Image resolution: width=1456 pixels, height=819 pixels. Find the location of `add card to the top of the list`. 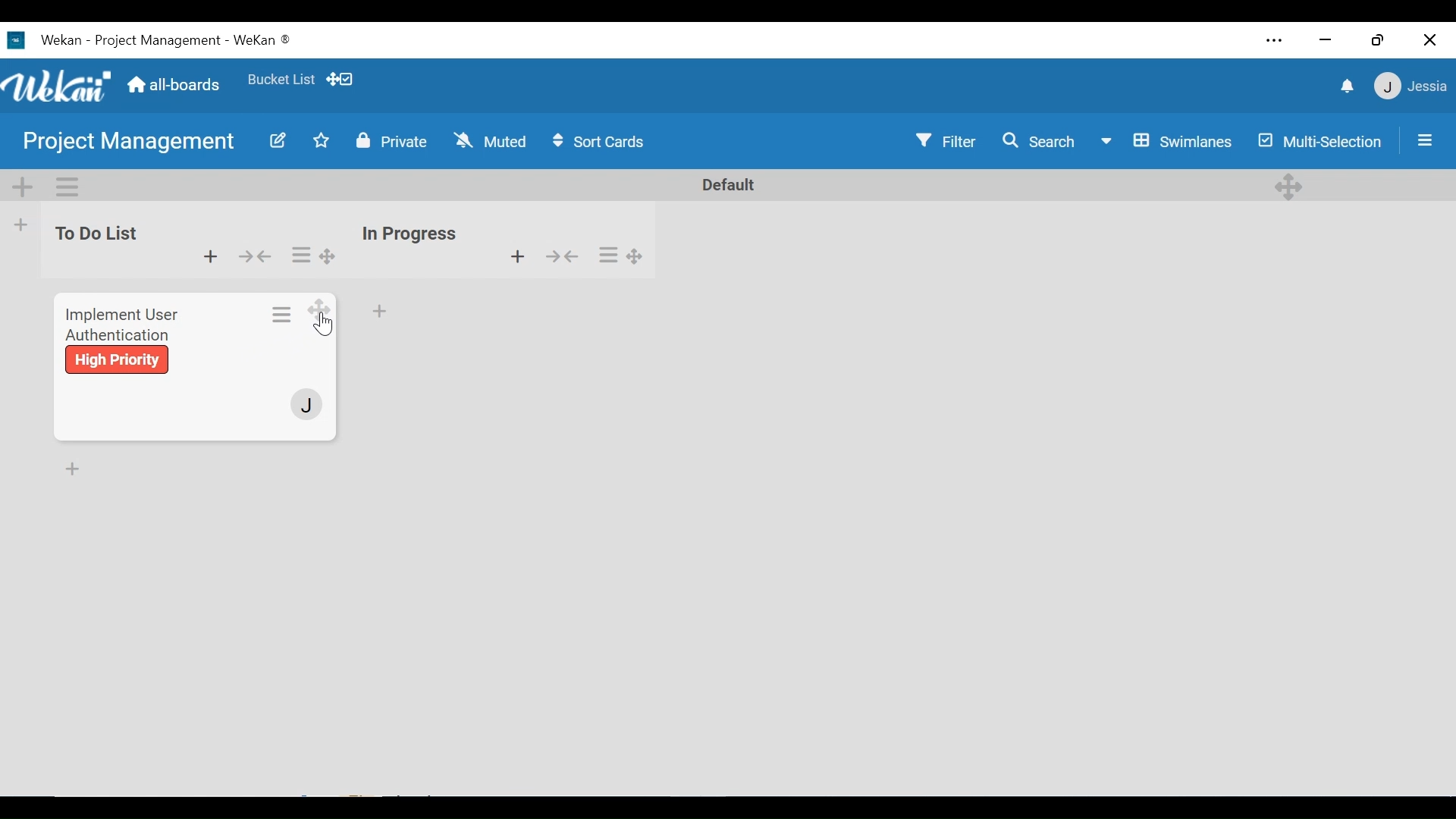

add card to the top of the list is located at coordinates (212, 257).